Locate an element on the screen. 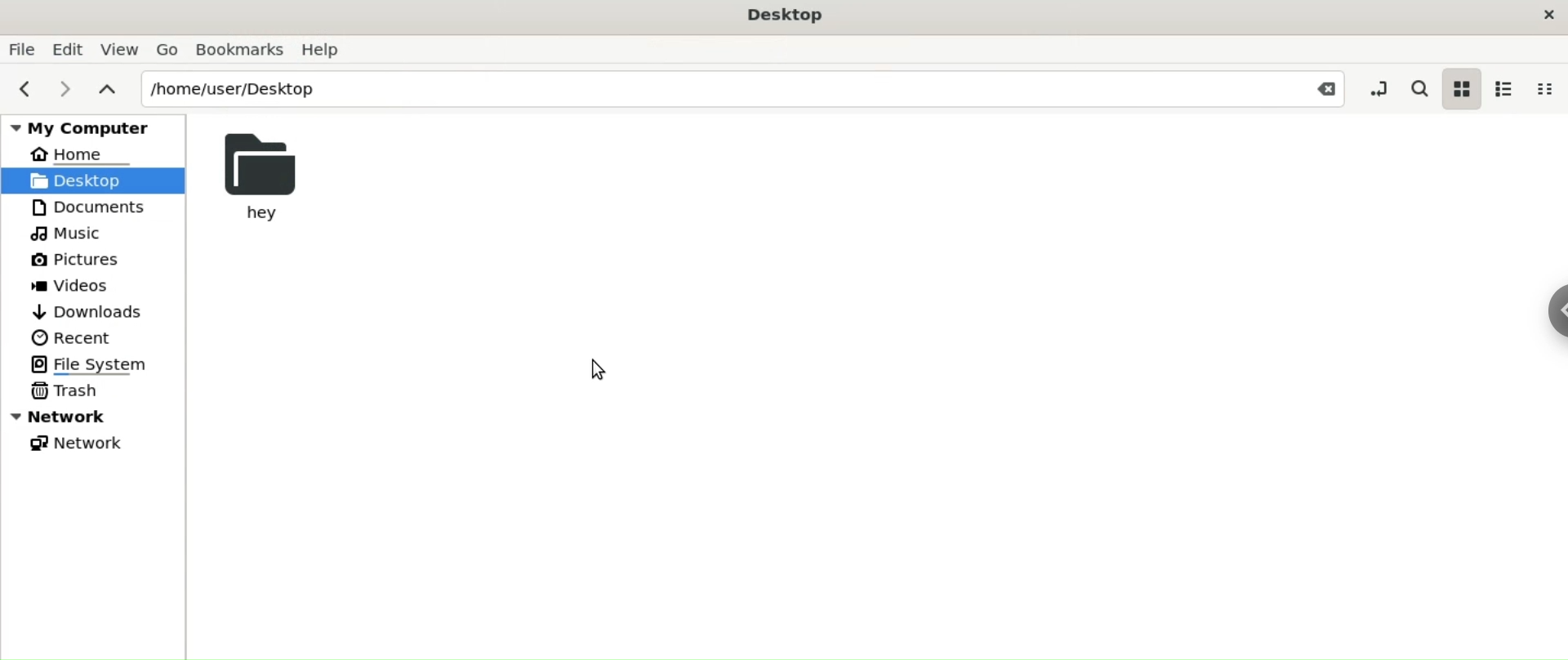 This screenshot has height=660, width=1568. My Computer is located at coordinates (93, 126).